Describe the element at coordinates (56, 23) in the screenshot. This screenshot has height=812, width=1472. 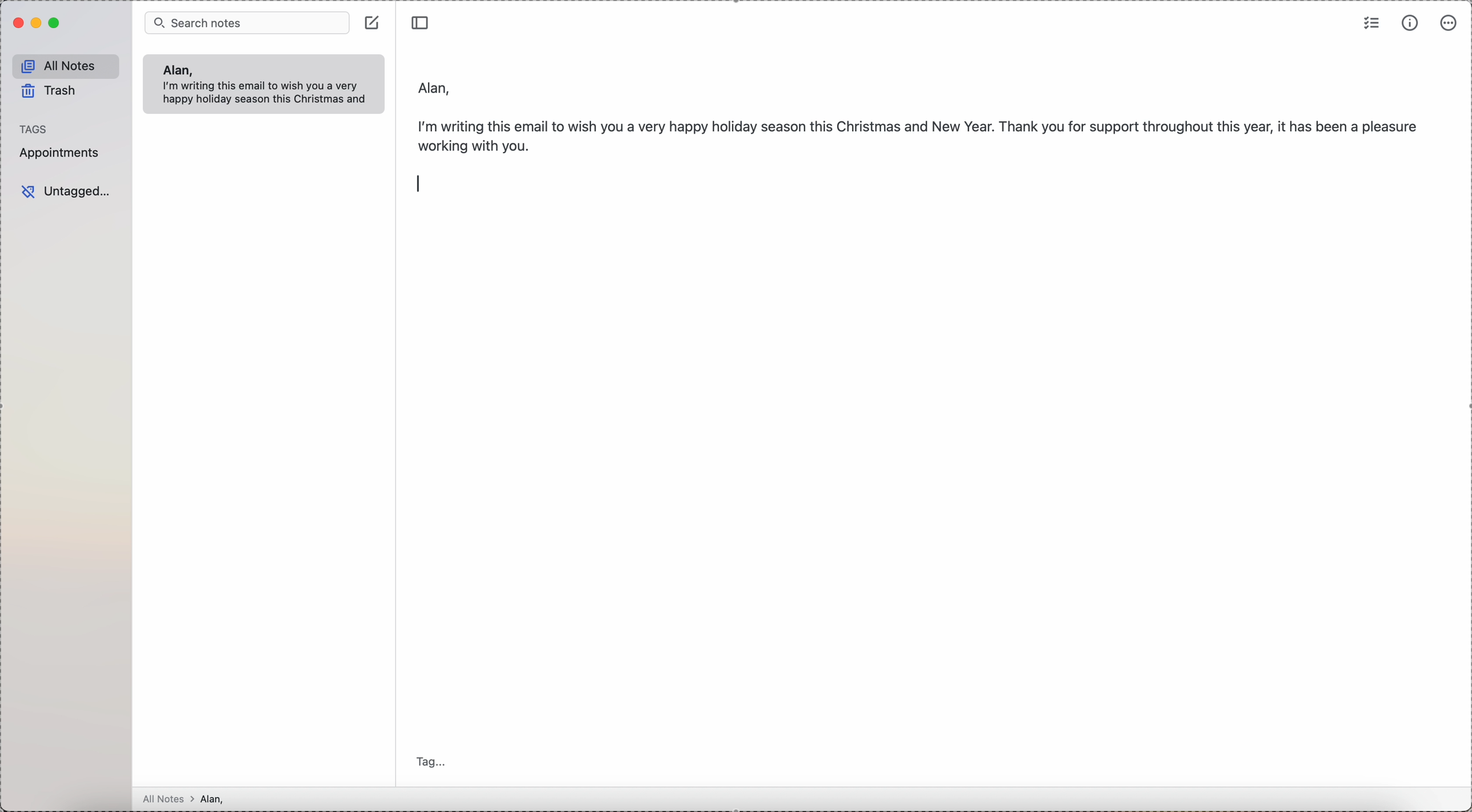
I see `maximize` at that location.